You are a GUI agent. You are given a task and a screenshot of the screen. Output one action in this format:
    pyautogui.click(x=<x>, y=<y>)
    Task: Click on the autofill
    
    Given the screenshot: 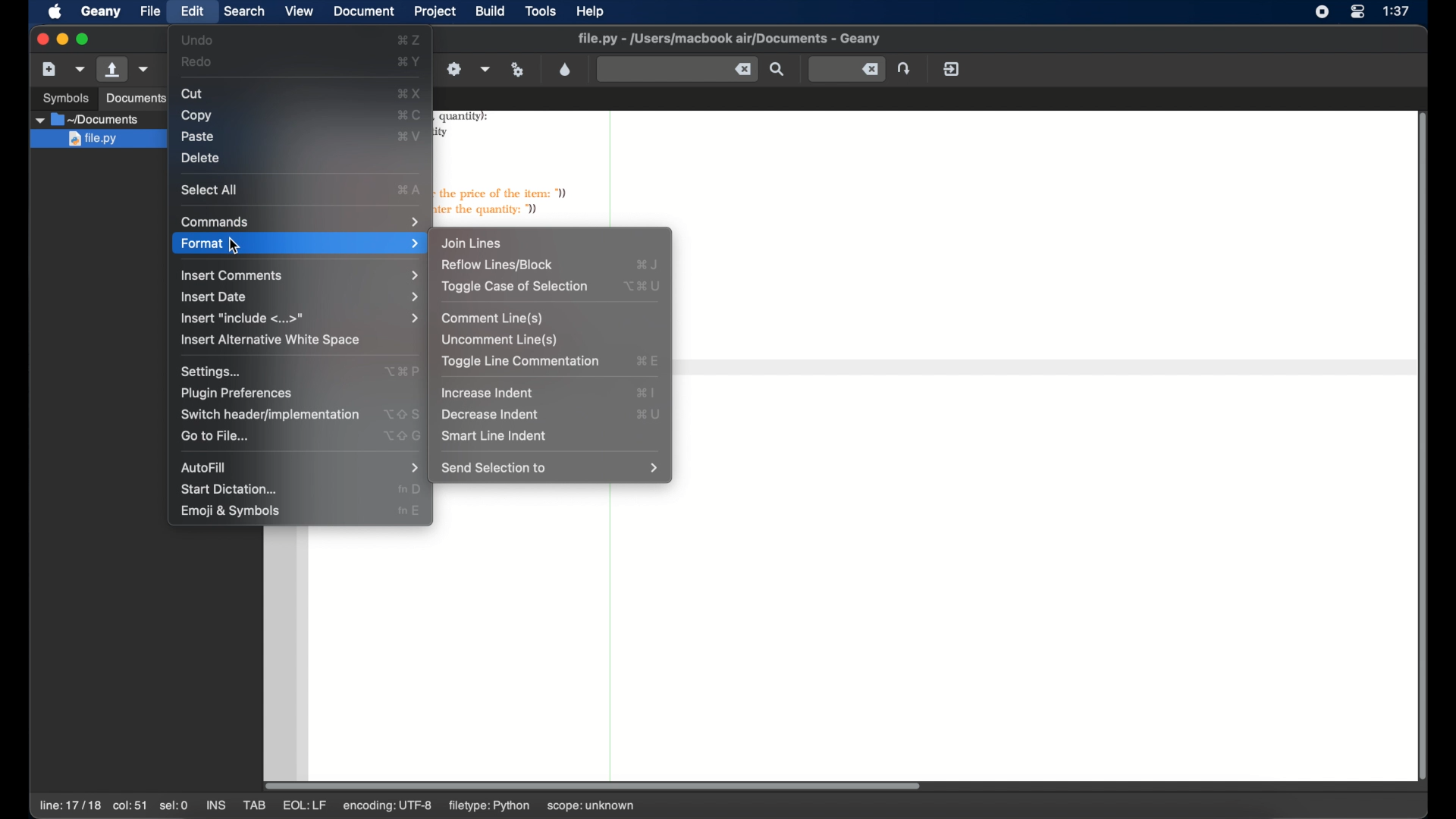 What is the action you would take?
    pyautogui.click(x=414, y=468)
    